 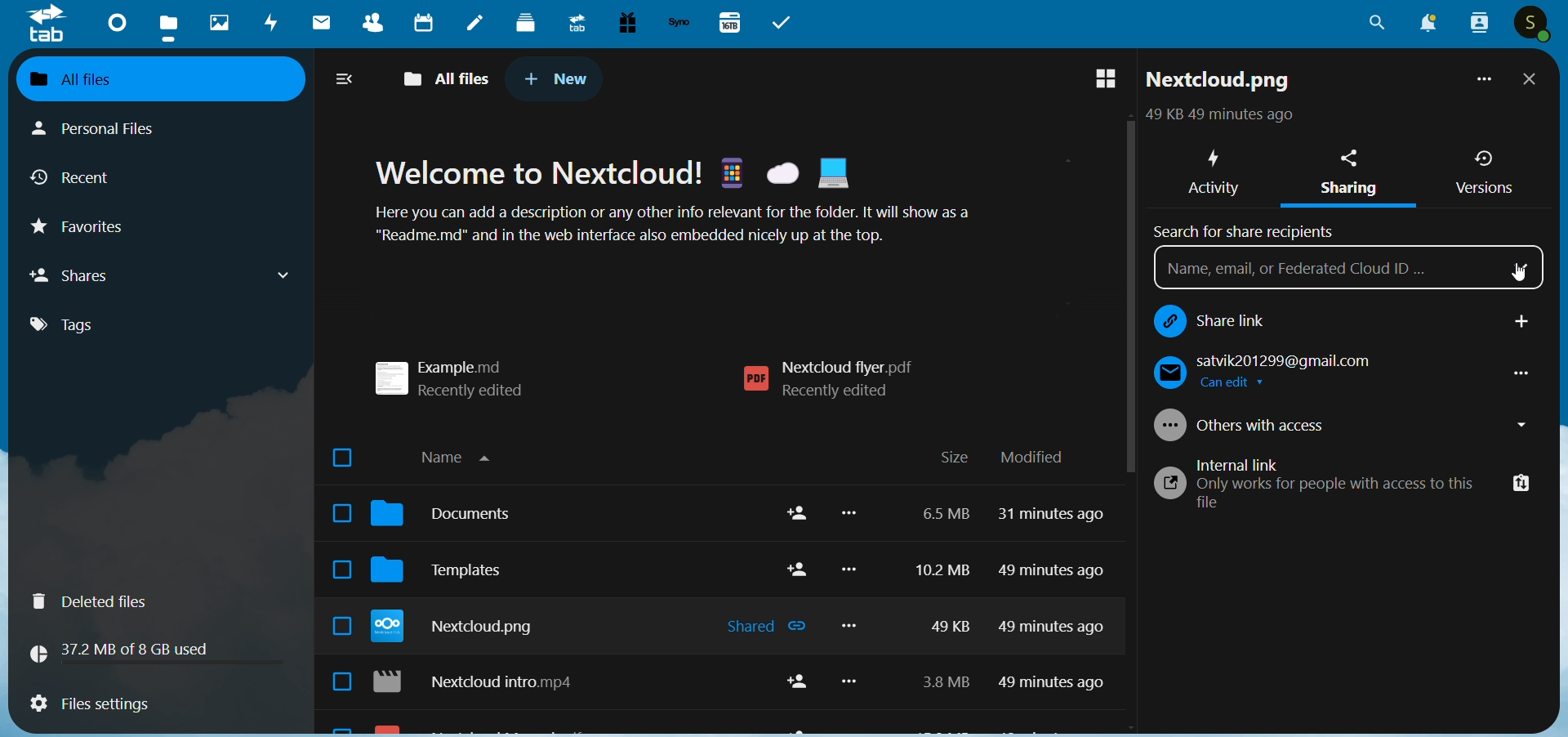 I want to click on tags, so click(x=77, y=325).